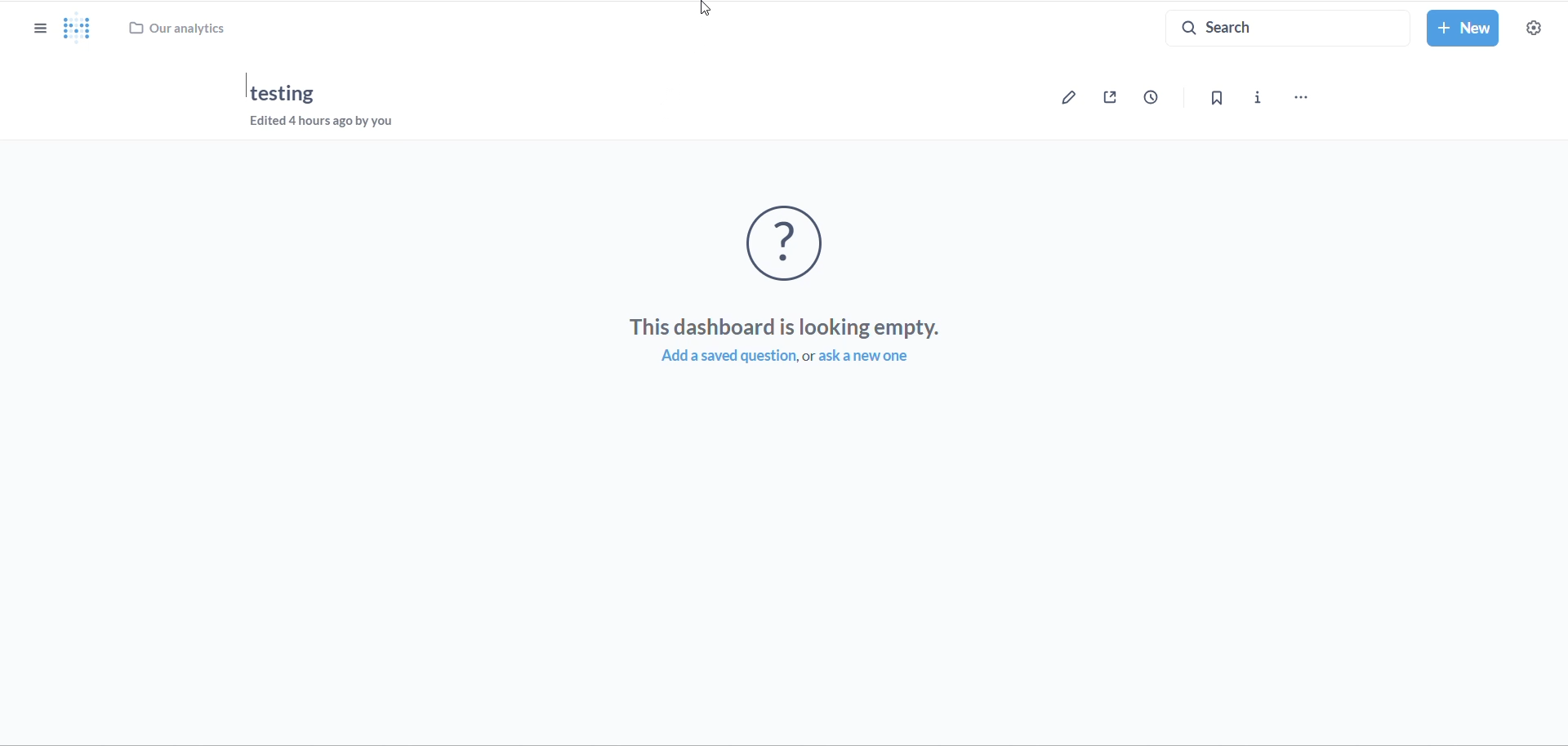  What do you see at coordinates (1277, 27) in the screenshot?
I see `search` at bounding box center [1277, 27].